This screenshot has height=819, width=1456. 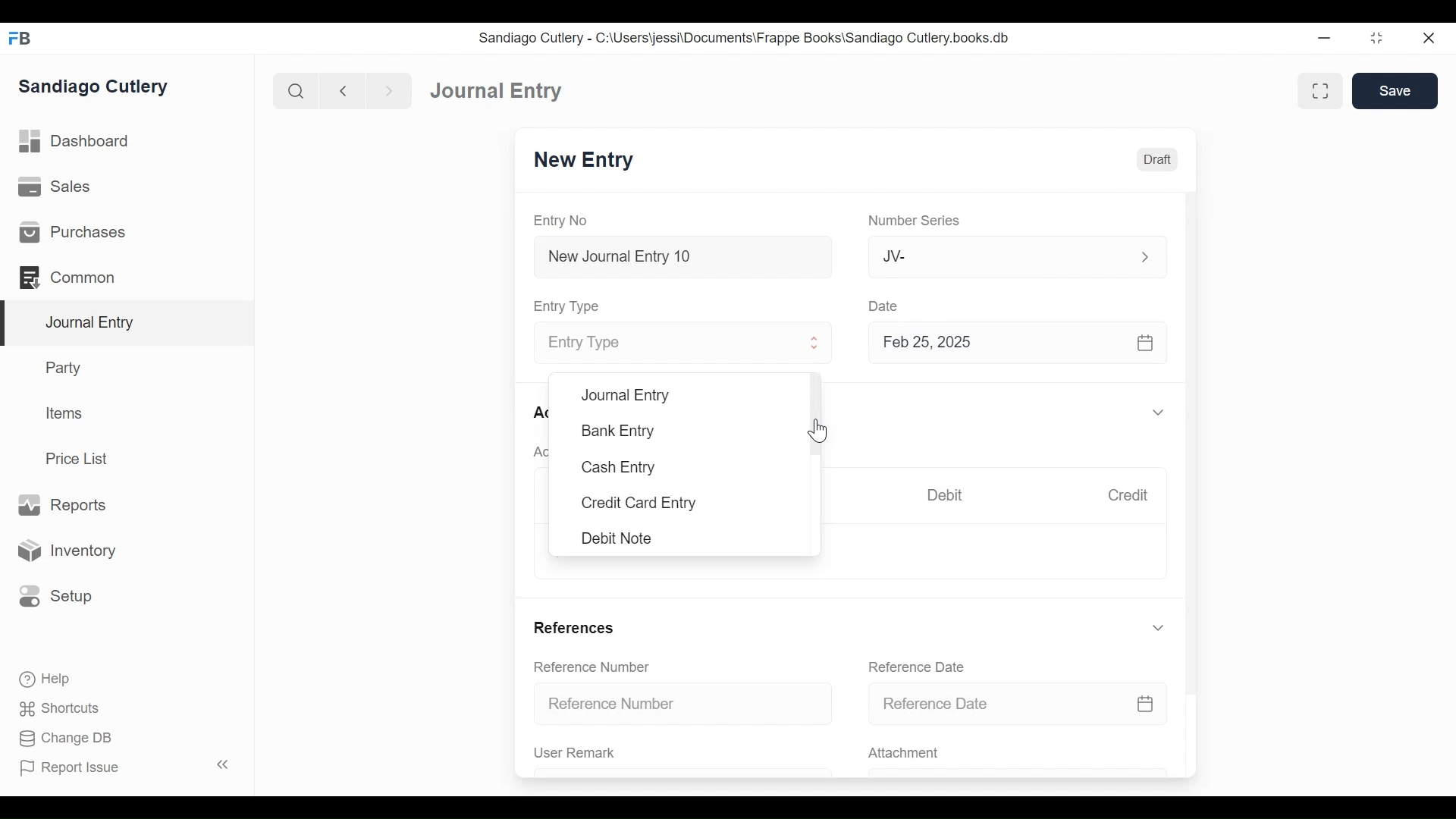 I want to click on Items, so click(x=66, y=415).